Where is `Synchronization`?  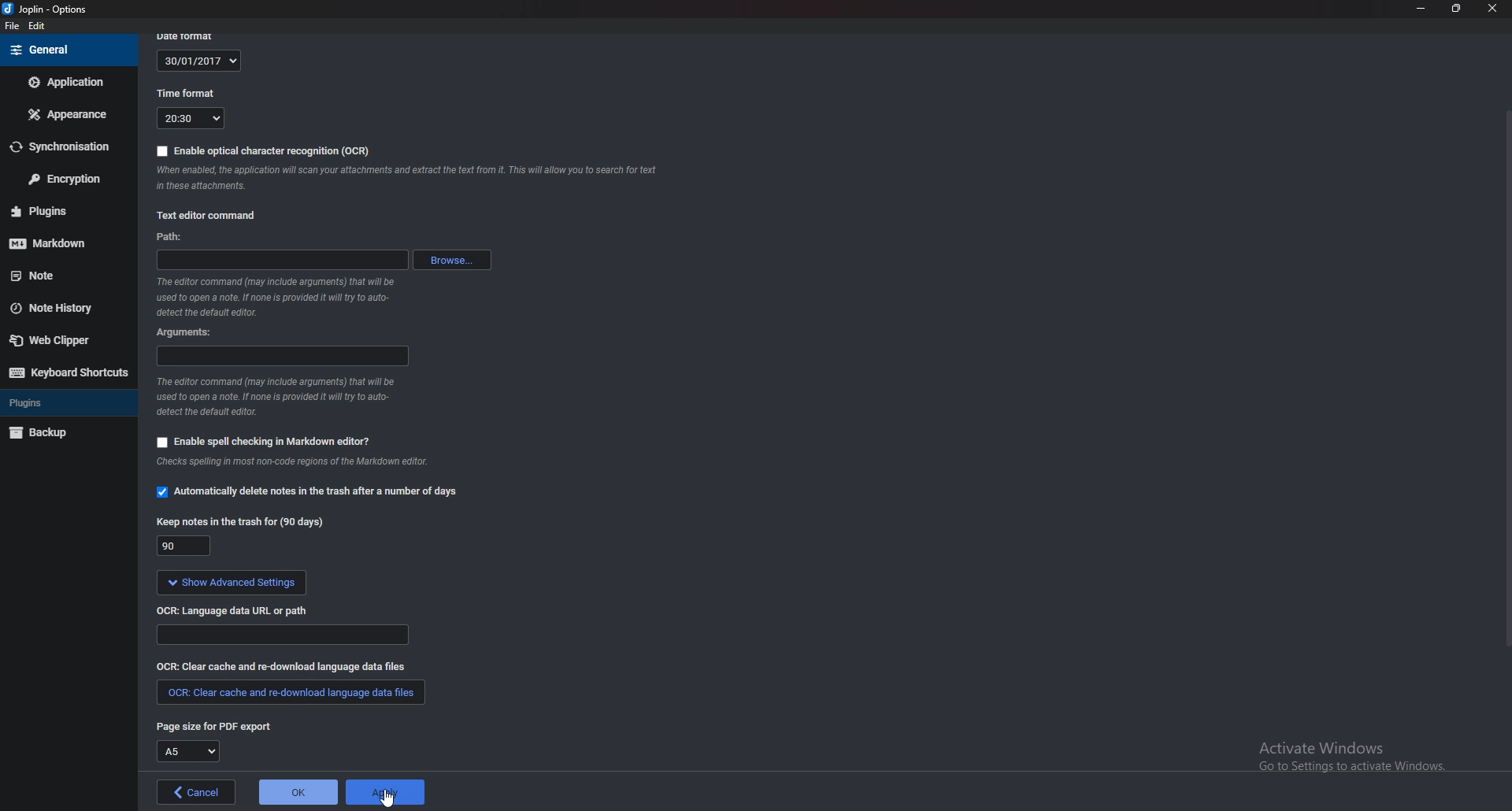 Synchronization is located at coordinates (62, 146).